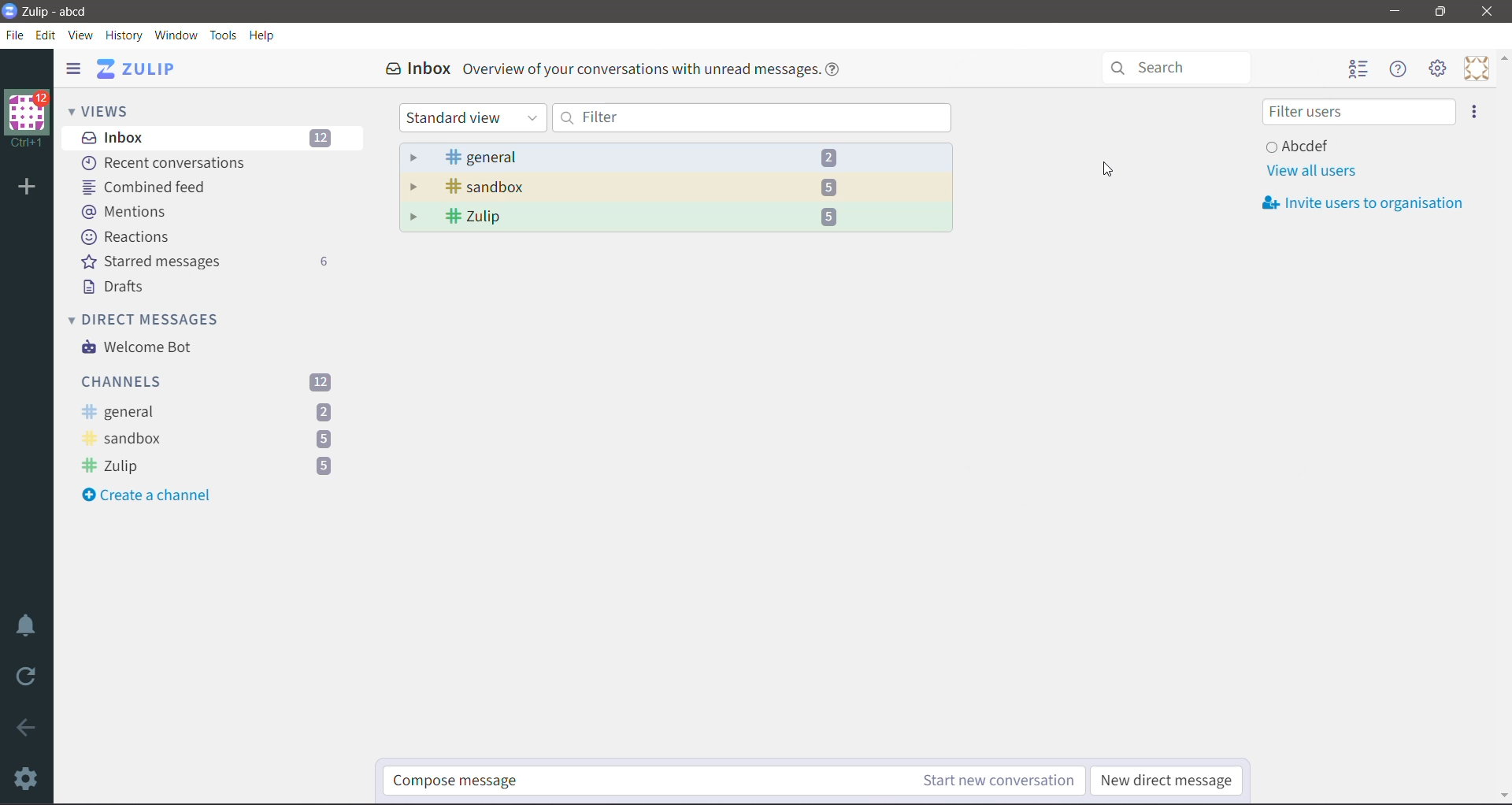  What do you see at coordinates (207, 440) in the screenshot?
I see `sandbox -unread  messages count` at bounding box center [207, 440].